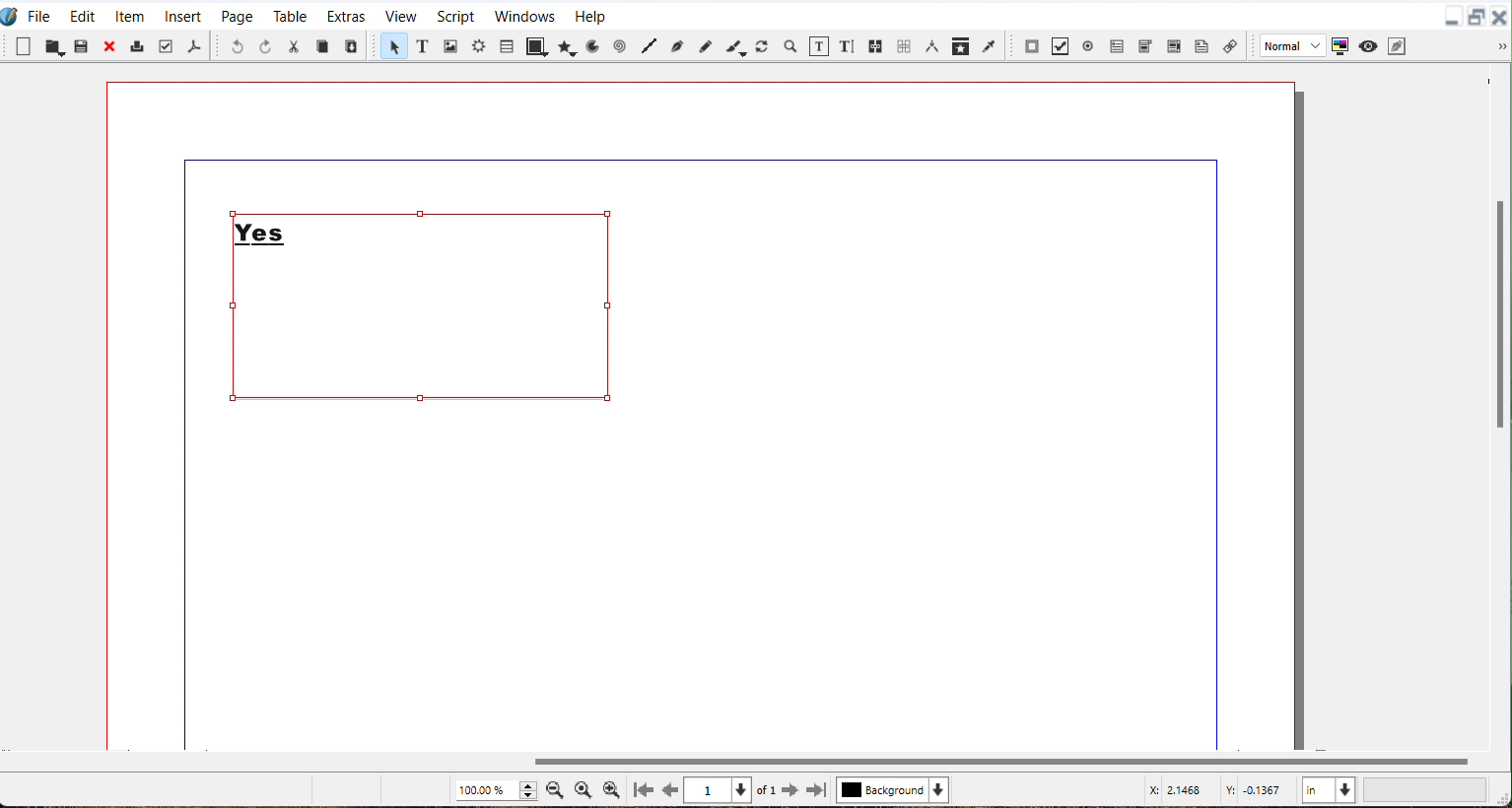 The width and height of the screenshot is (1512, 808). I want to click on Measurements, so click(933, 46).